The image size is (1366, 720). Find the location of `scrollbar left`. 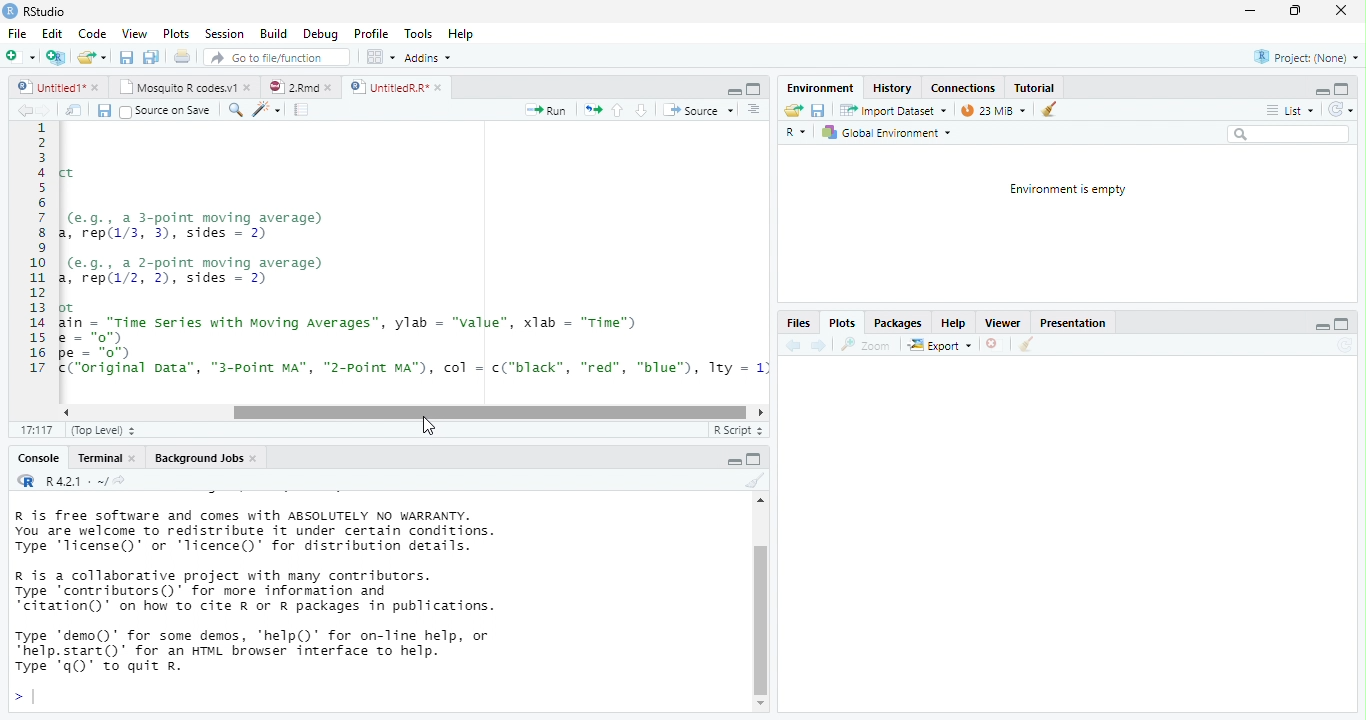

scrollbar left is located at coordinates (63, 412).